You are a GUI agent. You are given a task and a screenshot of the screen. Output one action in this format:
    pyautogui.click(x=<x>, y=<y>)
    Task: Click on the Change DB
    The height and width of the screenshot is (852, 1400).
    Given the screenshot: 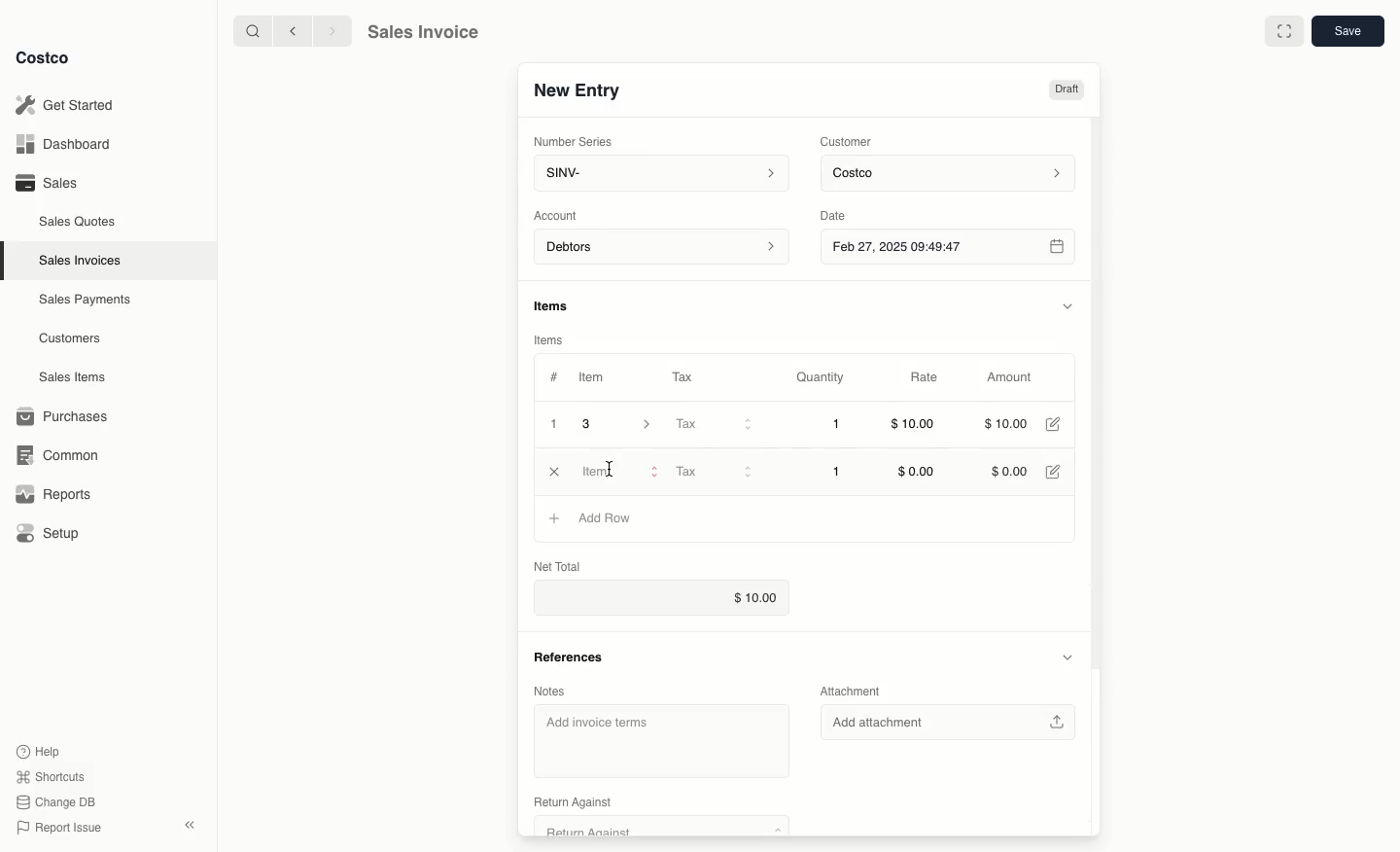 What is the action you would take?
    pyautogui.click(x=58, y=799)
    